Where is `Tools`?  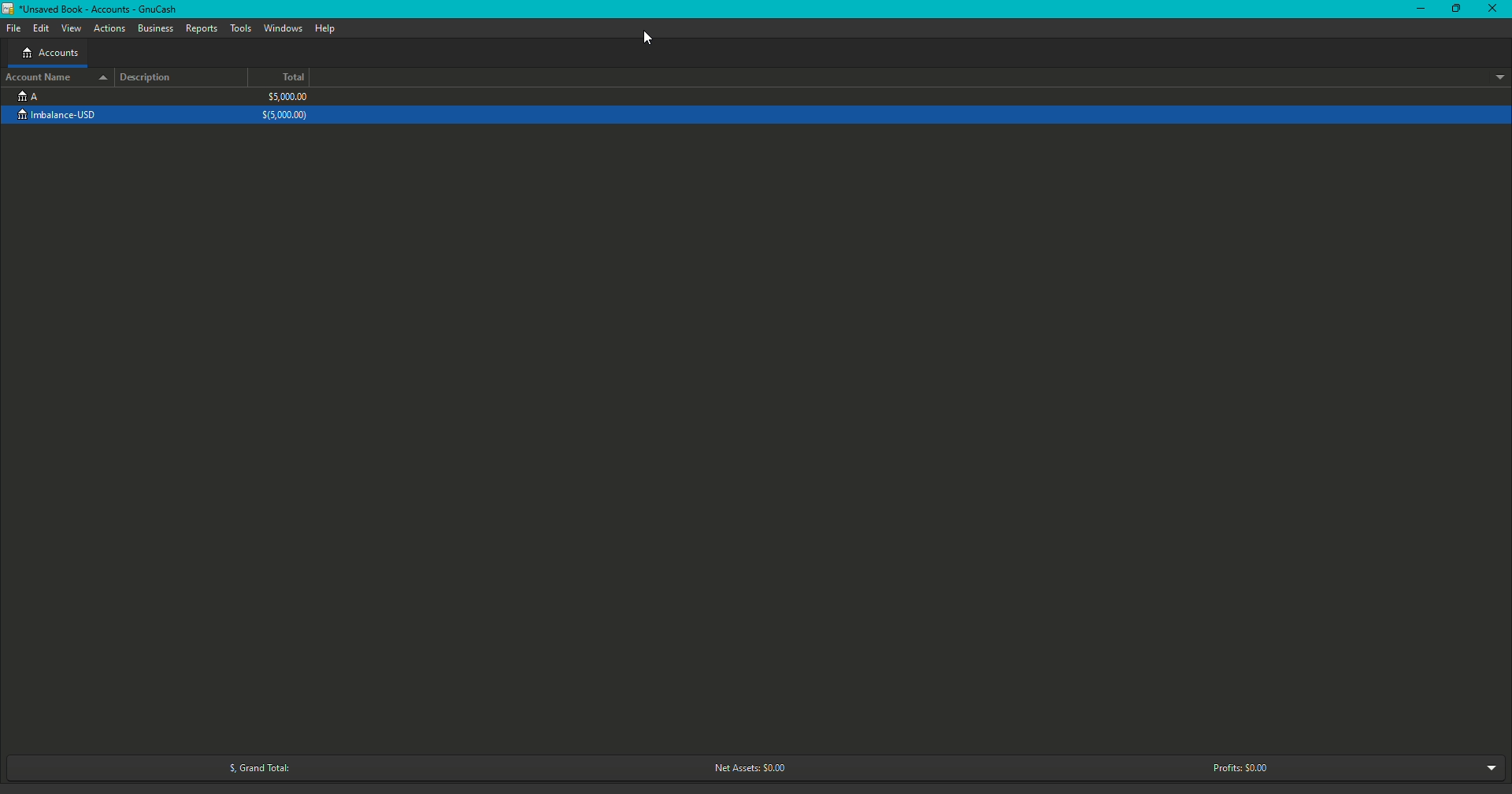
Tools is located at coordinates (243, 28).